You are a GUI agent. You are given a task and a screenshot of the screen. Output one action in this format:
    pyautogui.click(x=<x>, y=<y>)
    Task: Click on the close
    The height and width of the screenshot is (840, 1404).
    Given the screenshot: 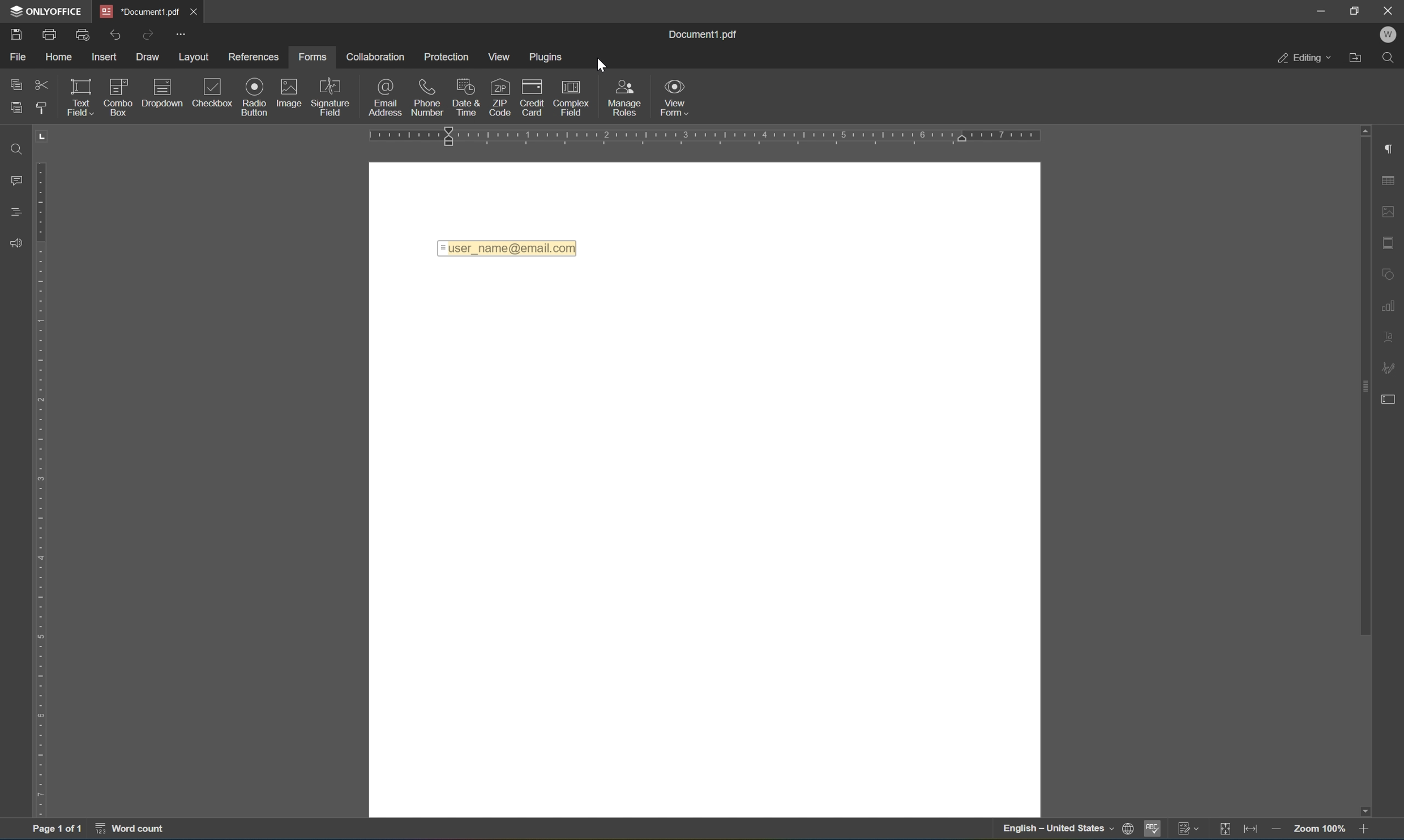 What is the action you would take?
    pyautogui.click(x=194, y=13)
    